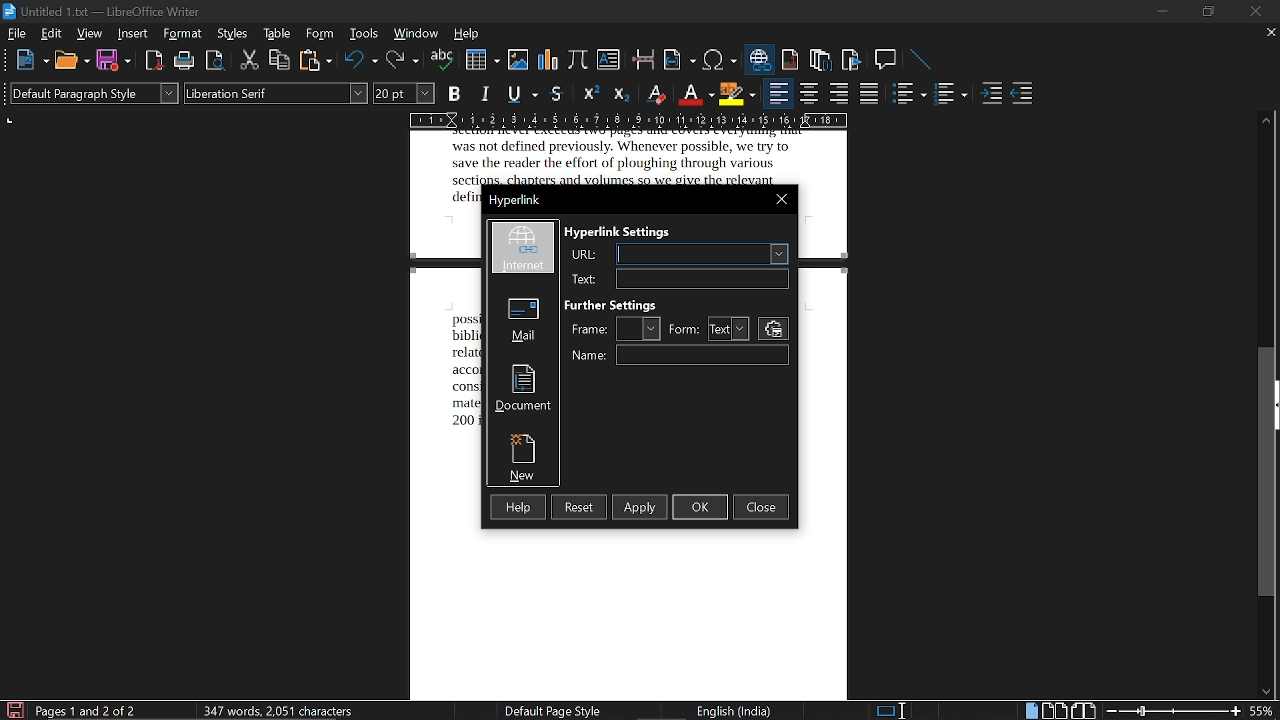  What do you see at coordinates (1206, 12) in the screenshot?
I see `restore down` at bounding box center [1206, 12].